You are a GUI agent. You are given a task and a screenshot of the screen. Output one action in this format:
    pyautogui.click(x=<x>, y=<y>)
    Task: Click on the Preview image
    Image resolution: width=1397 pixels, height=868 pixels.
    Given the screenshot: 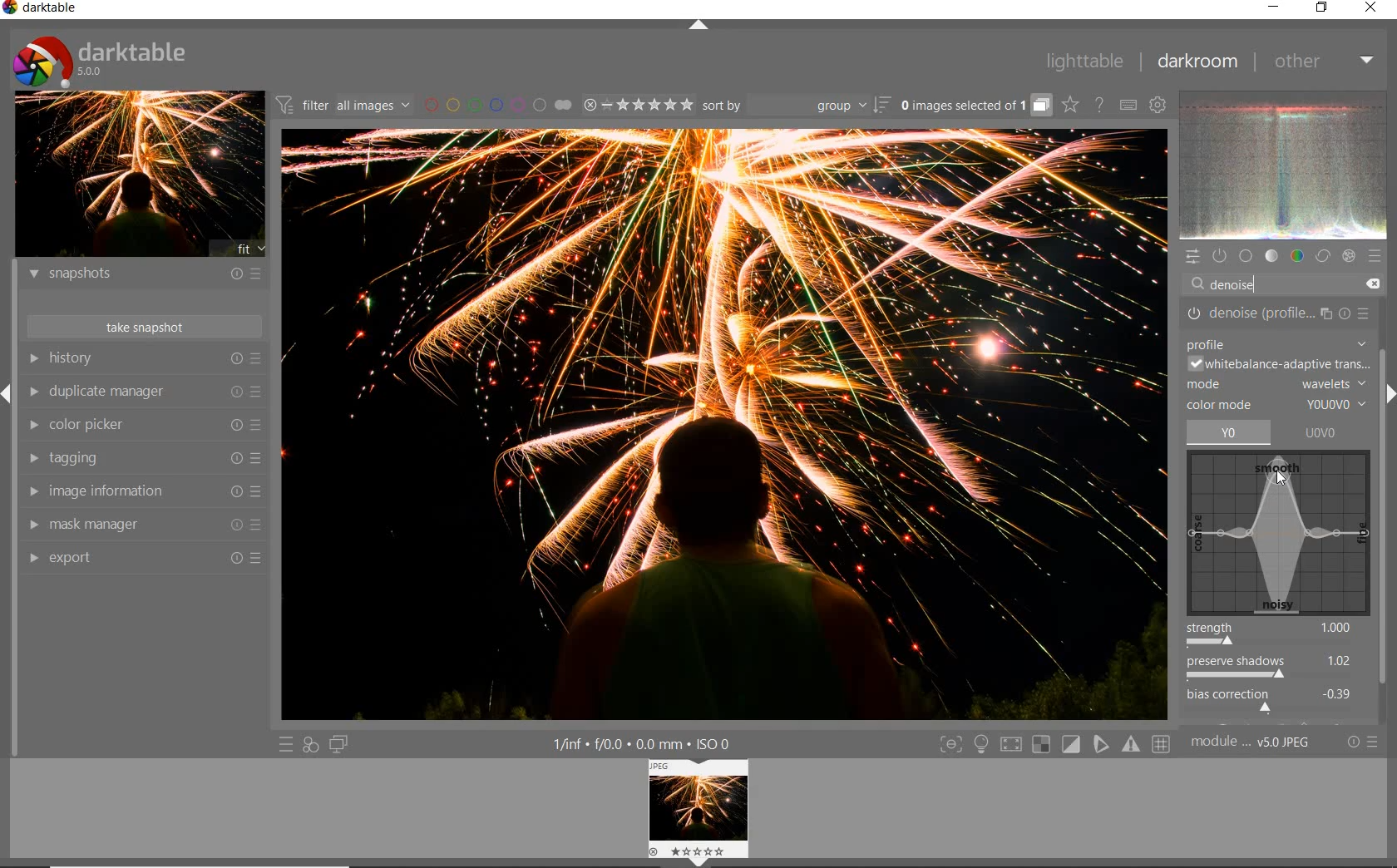 What is the action you would take?
    pyautogui.click(x=713, y=810)
    